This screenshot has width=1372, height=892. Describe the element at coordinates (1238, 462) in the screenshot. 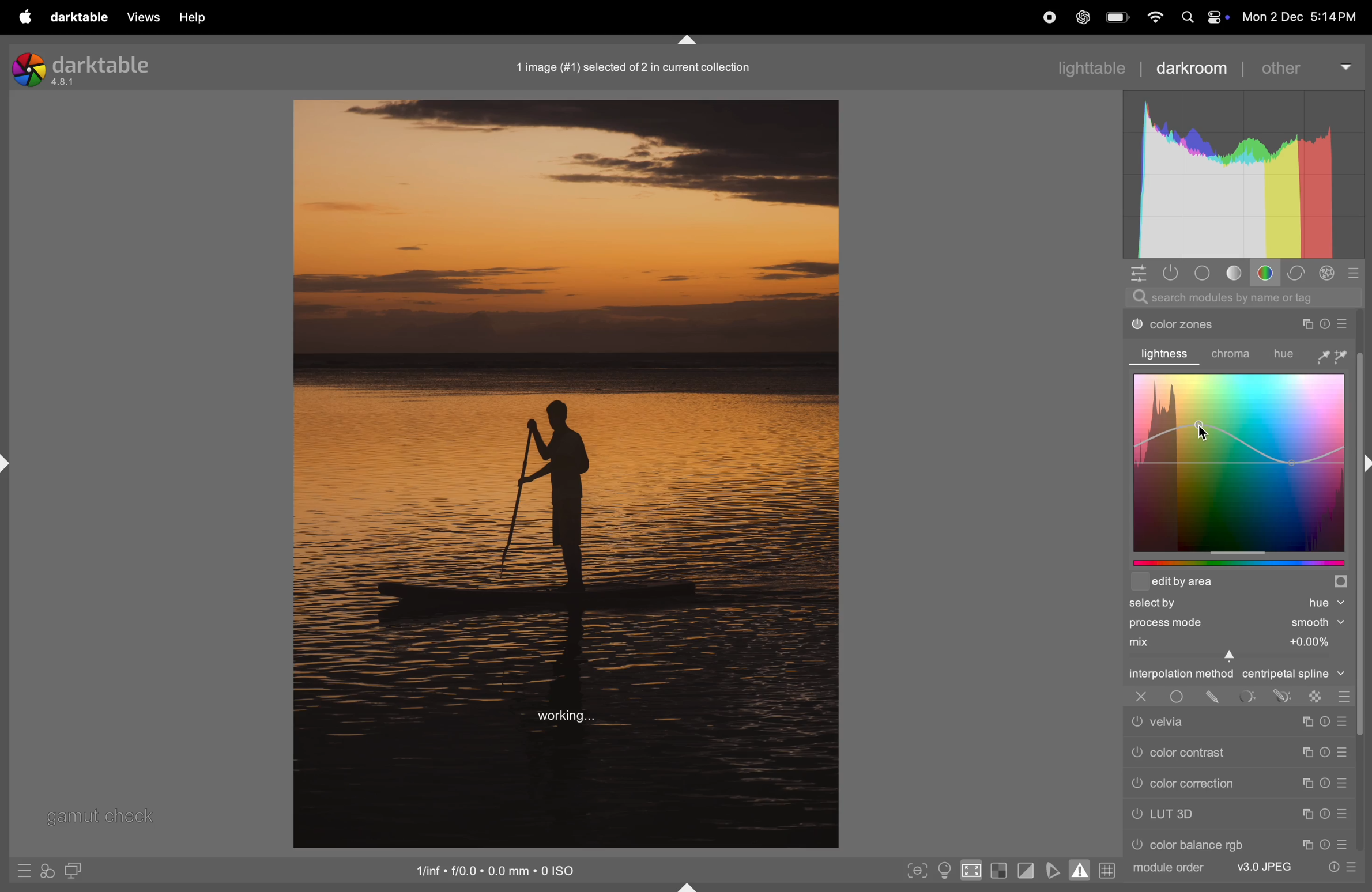

I see `color graphs` at that location.